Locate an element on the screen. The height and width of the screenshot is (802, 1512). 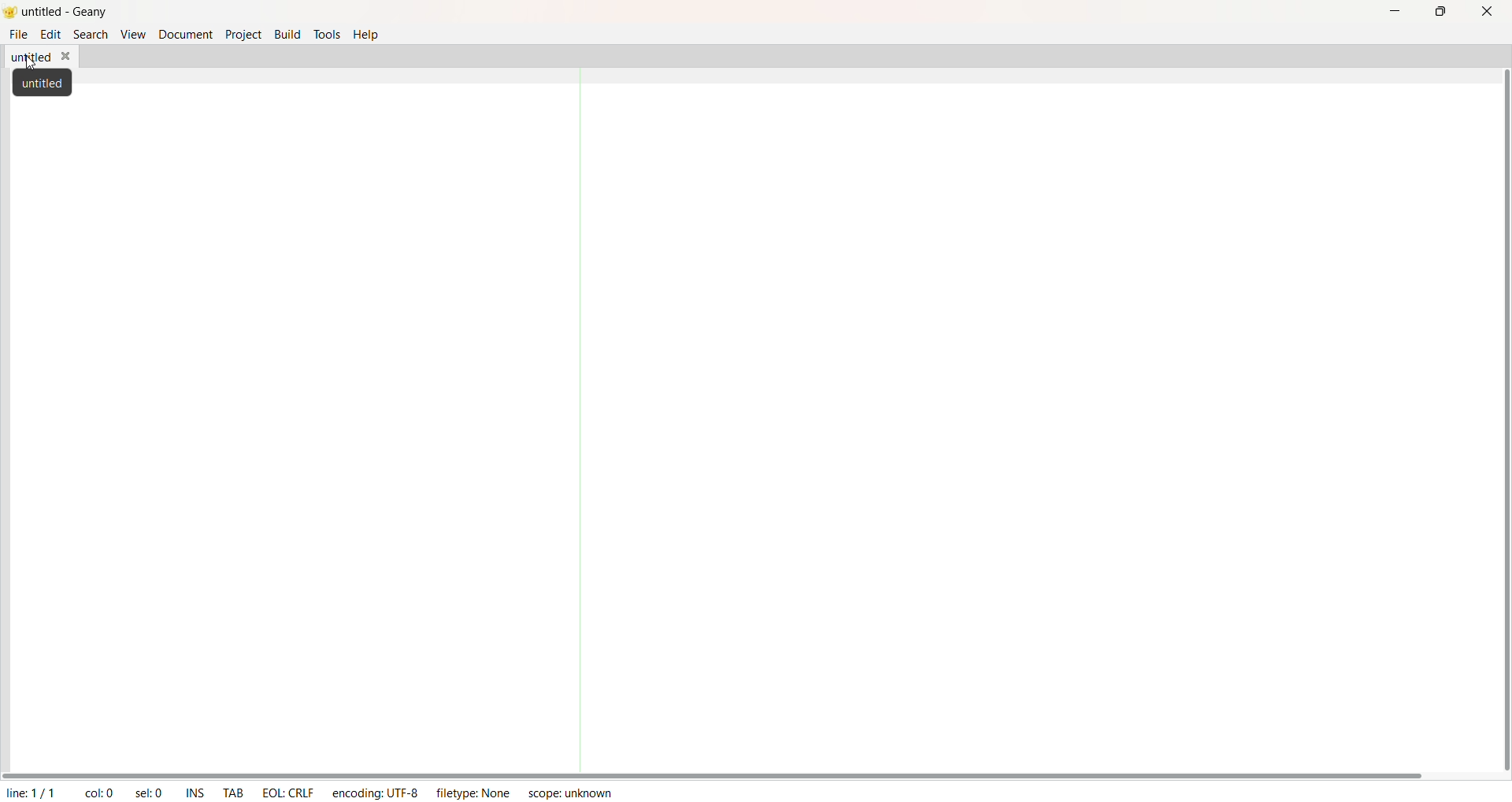
Logo is located at coordinates (9, 13).